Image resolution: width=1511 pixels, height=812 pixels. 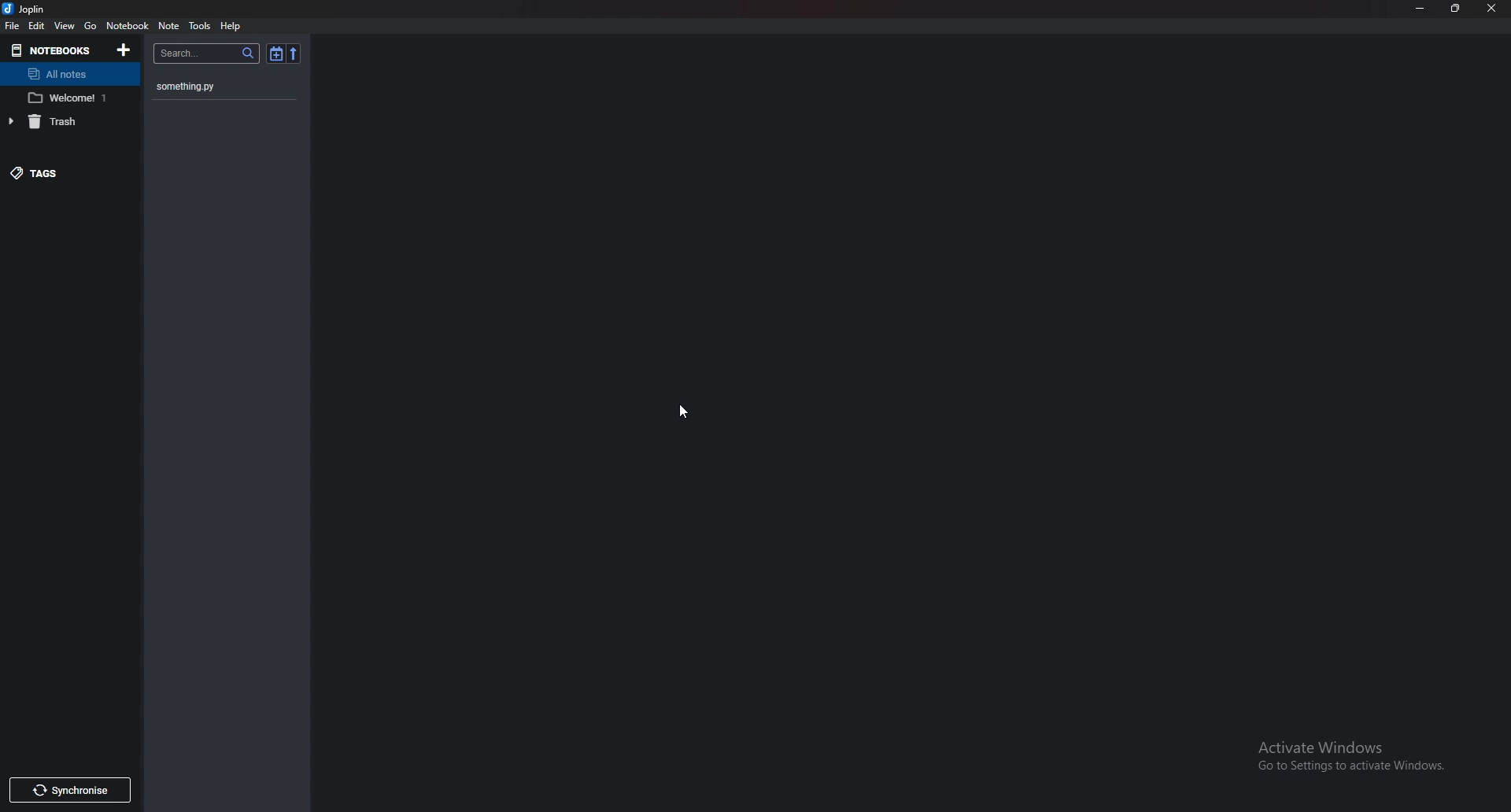 What do you see at coordinates (231, 27) in the screenshot?
I see `help` at bounding box center [231, 27].